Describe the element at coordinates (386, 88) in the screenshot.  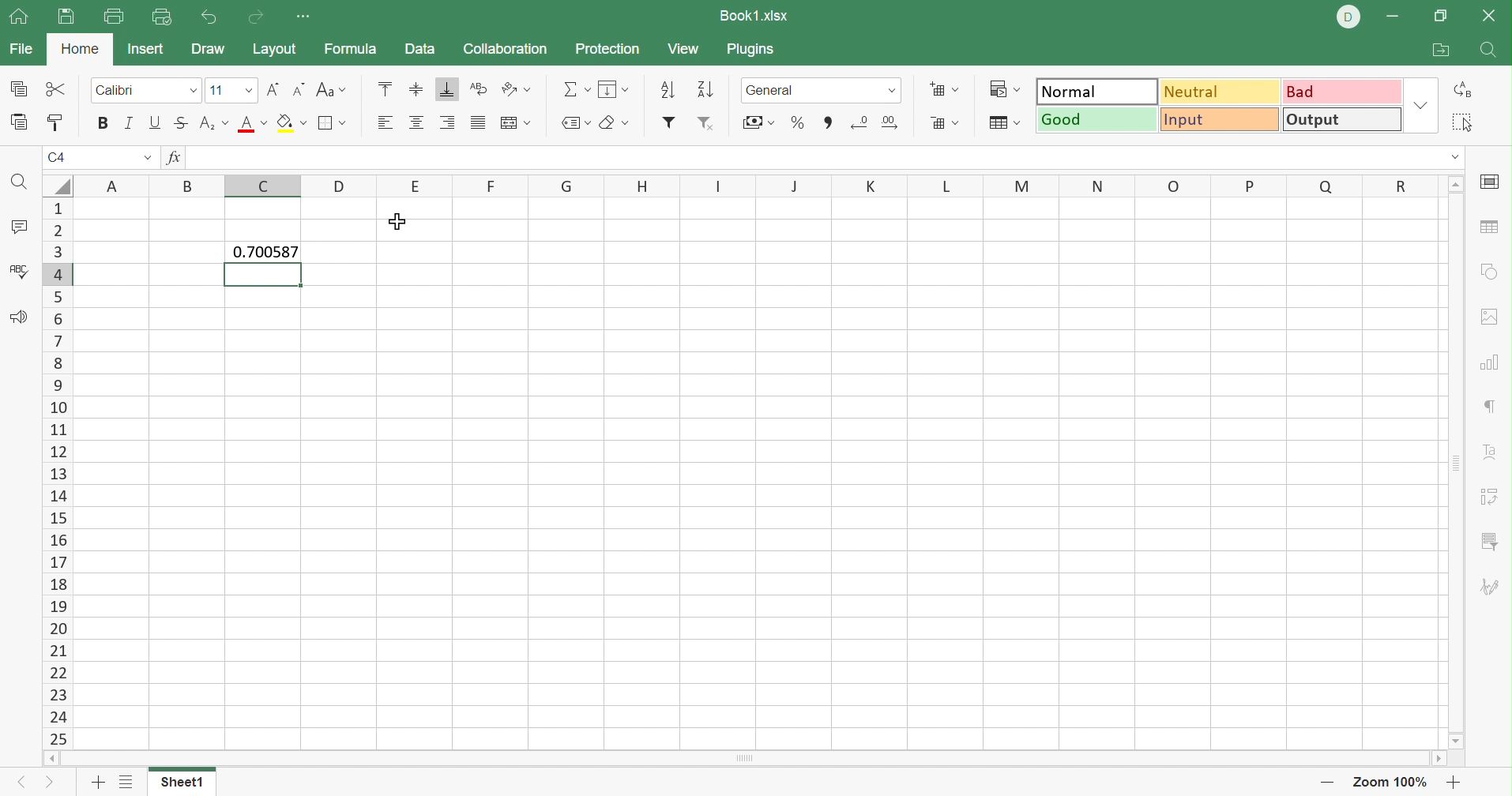
I see `Align top` at that location.